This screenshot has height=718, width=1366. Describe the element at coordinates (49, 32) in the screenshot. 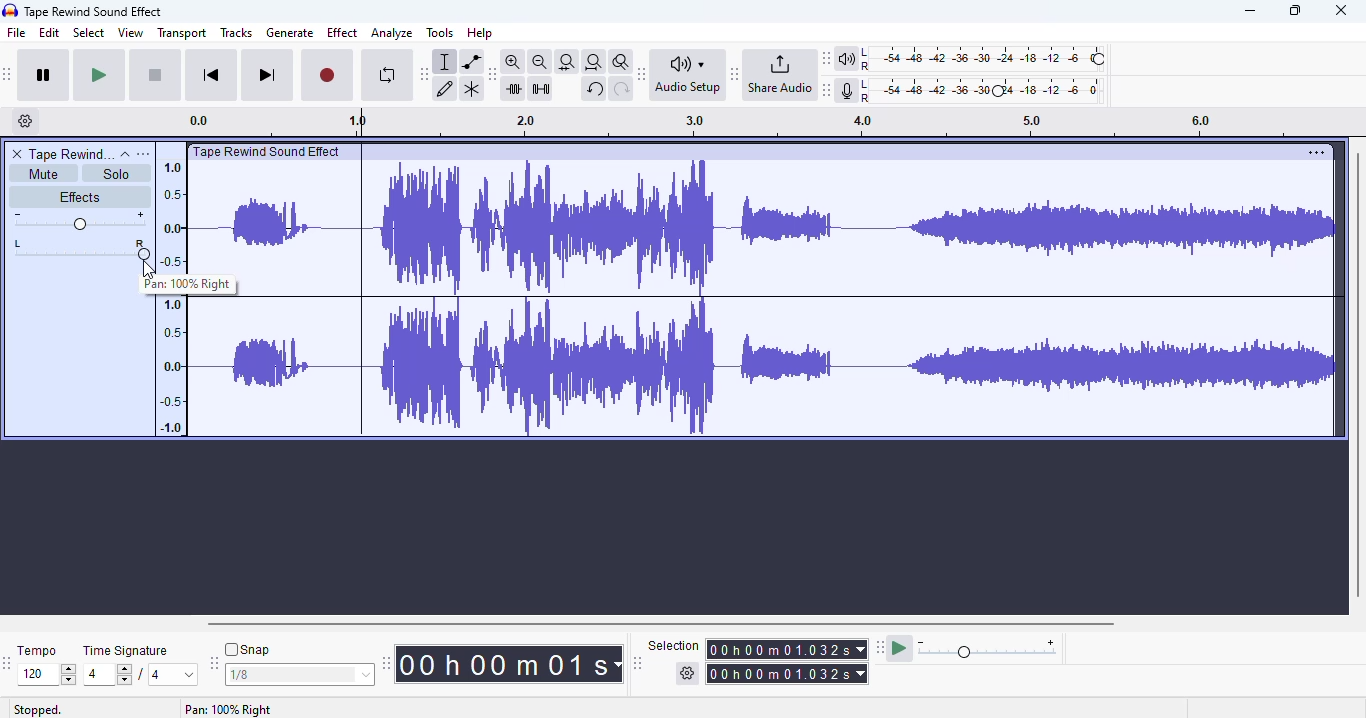

I see `edit` at that location.